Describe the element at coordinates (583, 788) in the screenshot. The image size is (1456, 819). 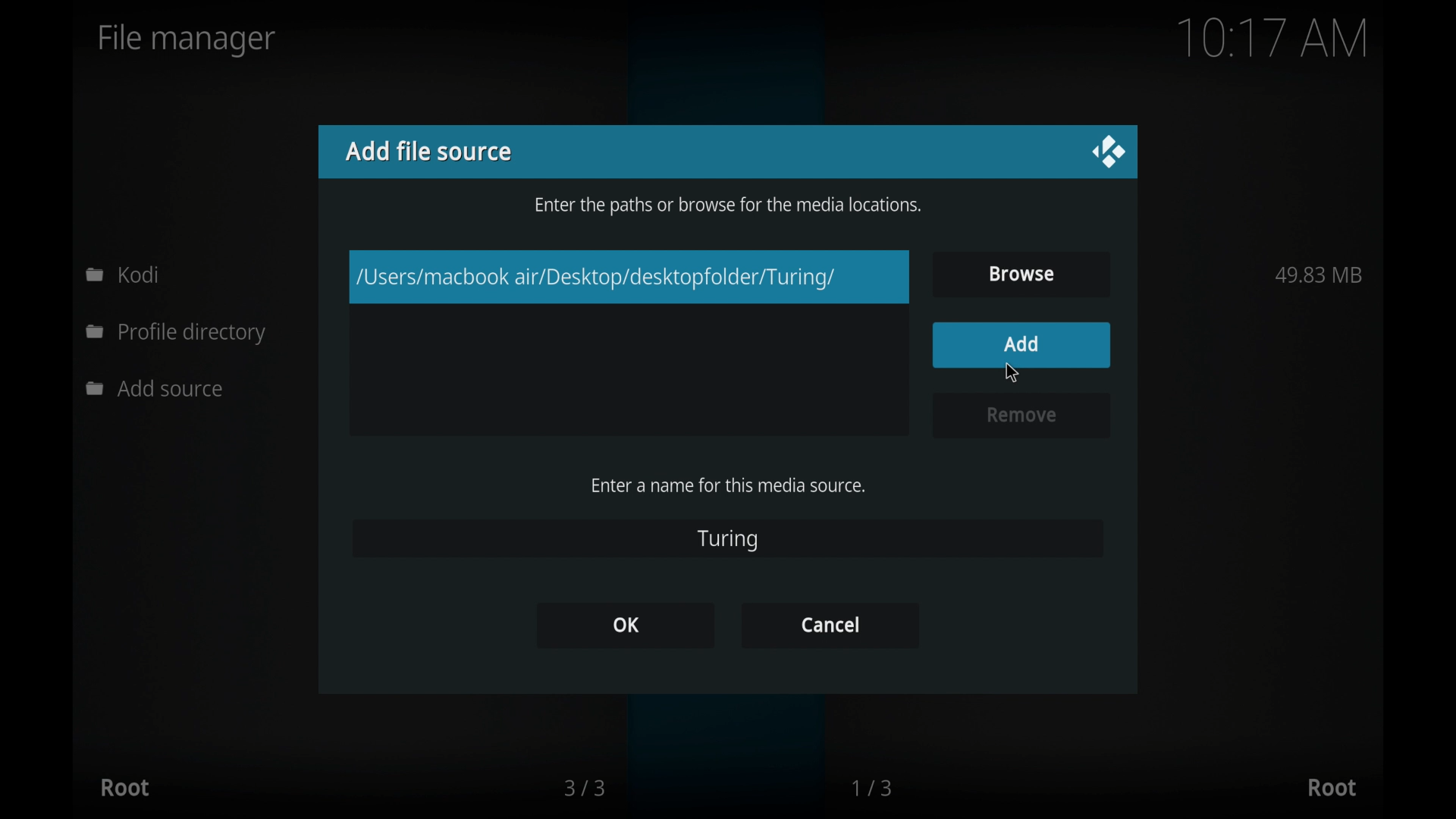
I see `3/3` at that location.